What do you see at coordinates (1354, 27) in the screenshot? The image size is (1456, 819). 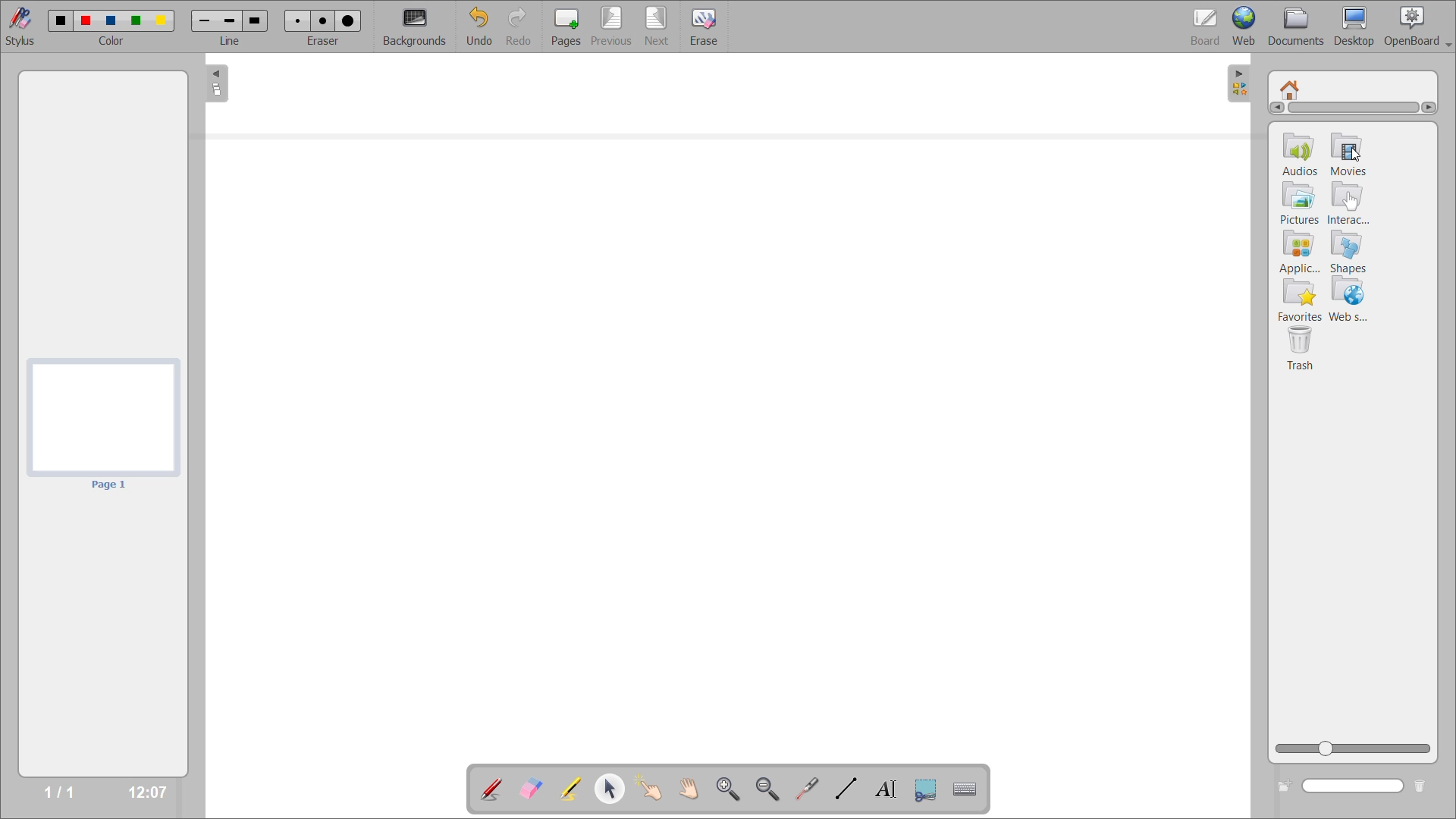 I see `desktop` at bounding box center [1354, 27].